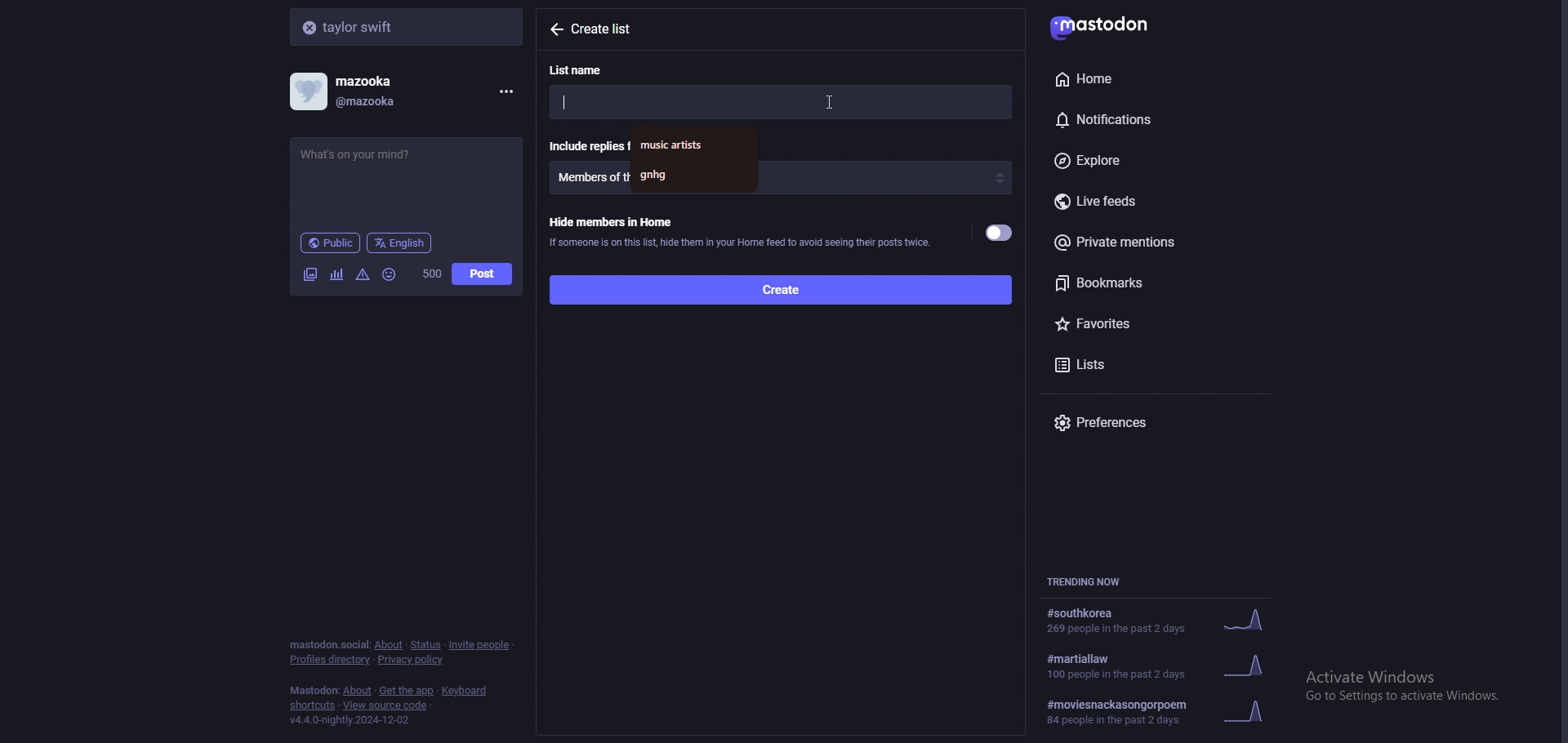  What do you see at coordinates (412, 661) in the screenshot?
I see `privacy policy` at bounding box center [412, 661].